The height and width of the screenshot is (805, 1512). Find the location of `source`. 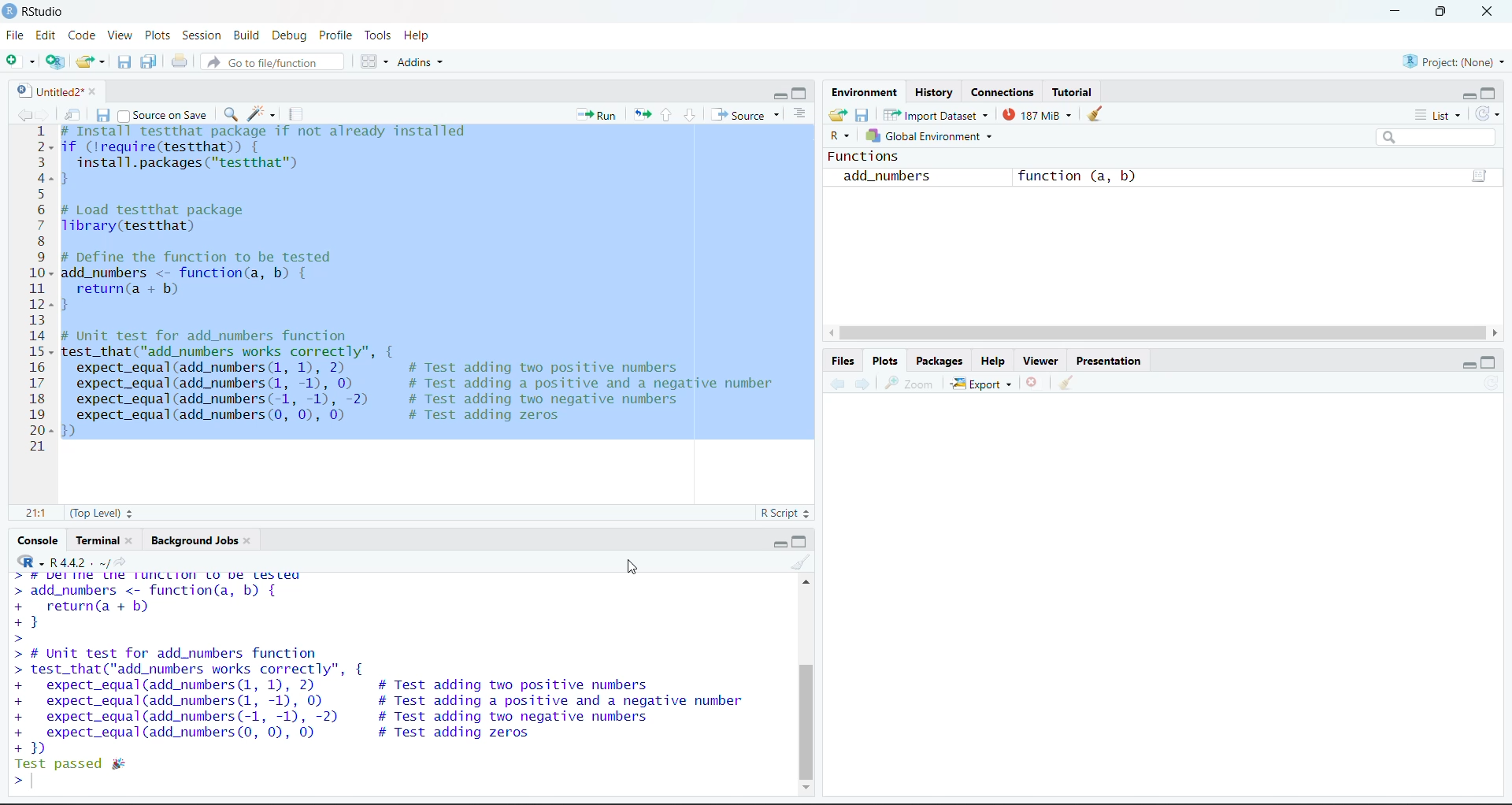

source is located at coordinates (738, 114).